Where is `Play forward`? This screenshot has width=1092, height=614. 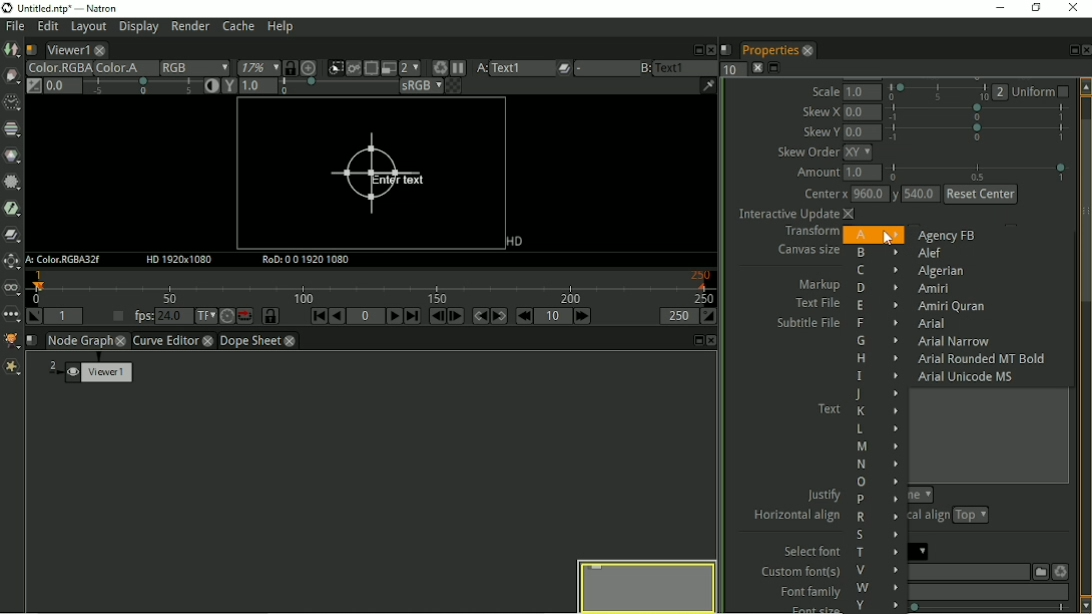 Play forward is located at coordinates (395, 316).